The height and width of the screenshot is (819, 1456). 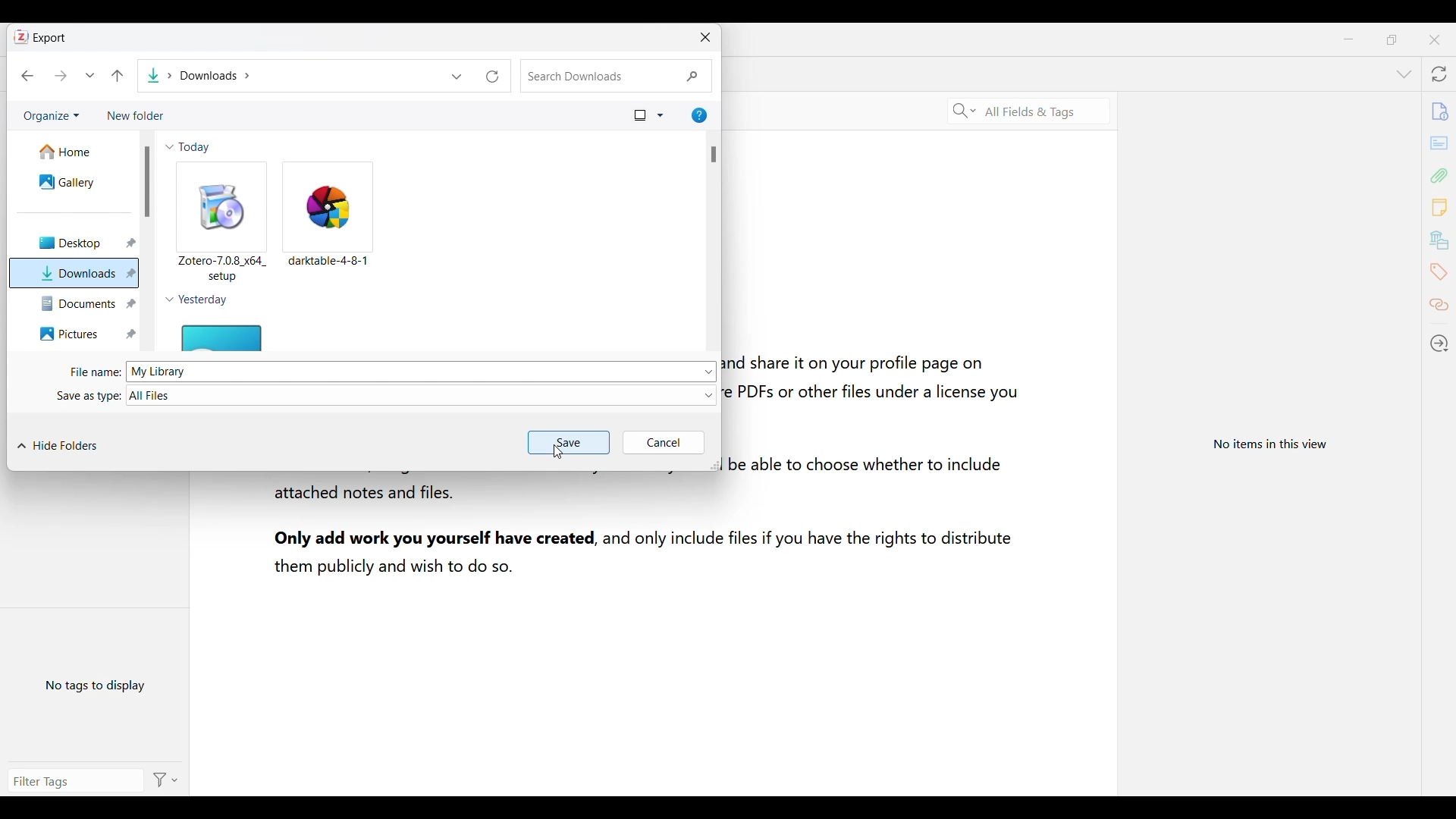 I want to click on Dropdown, so click(x=451, y=76).